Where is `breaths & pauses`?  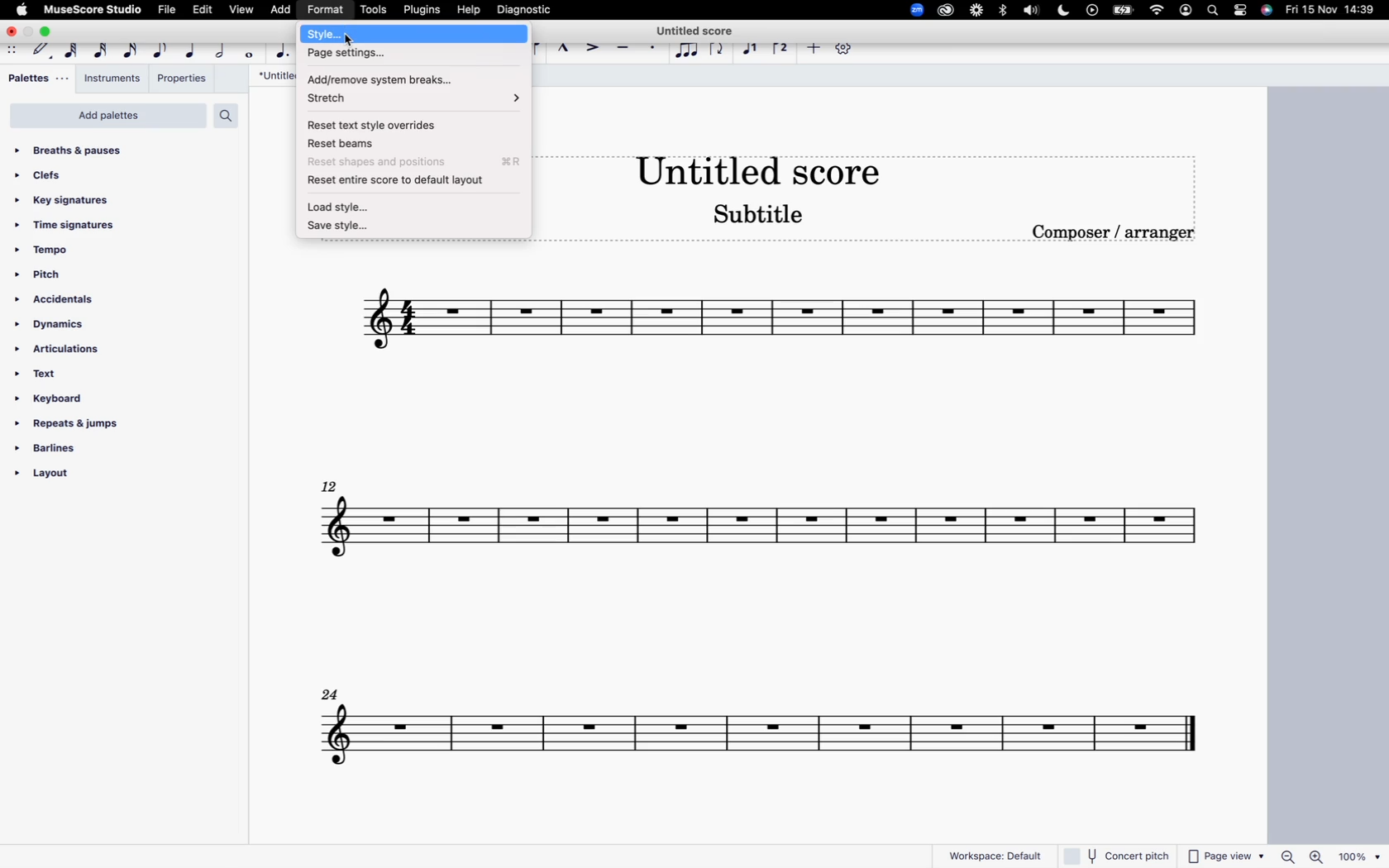 breaths & pauses is located at coordinates (77, 148).